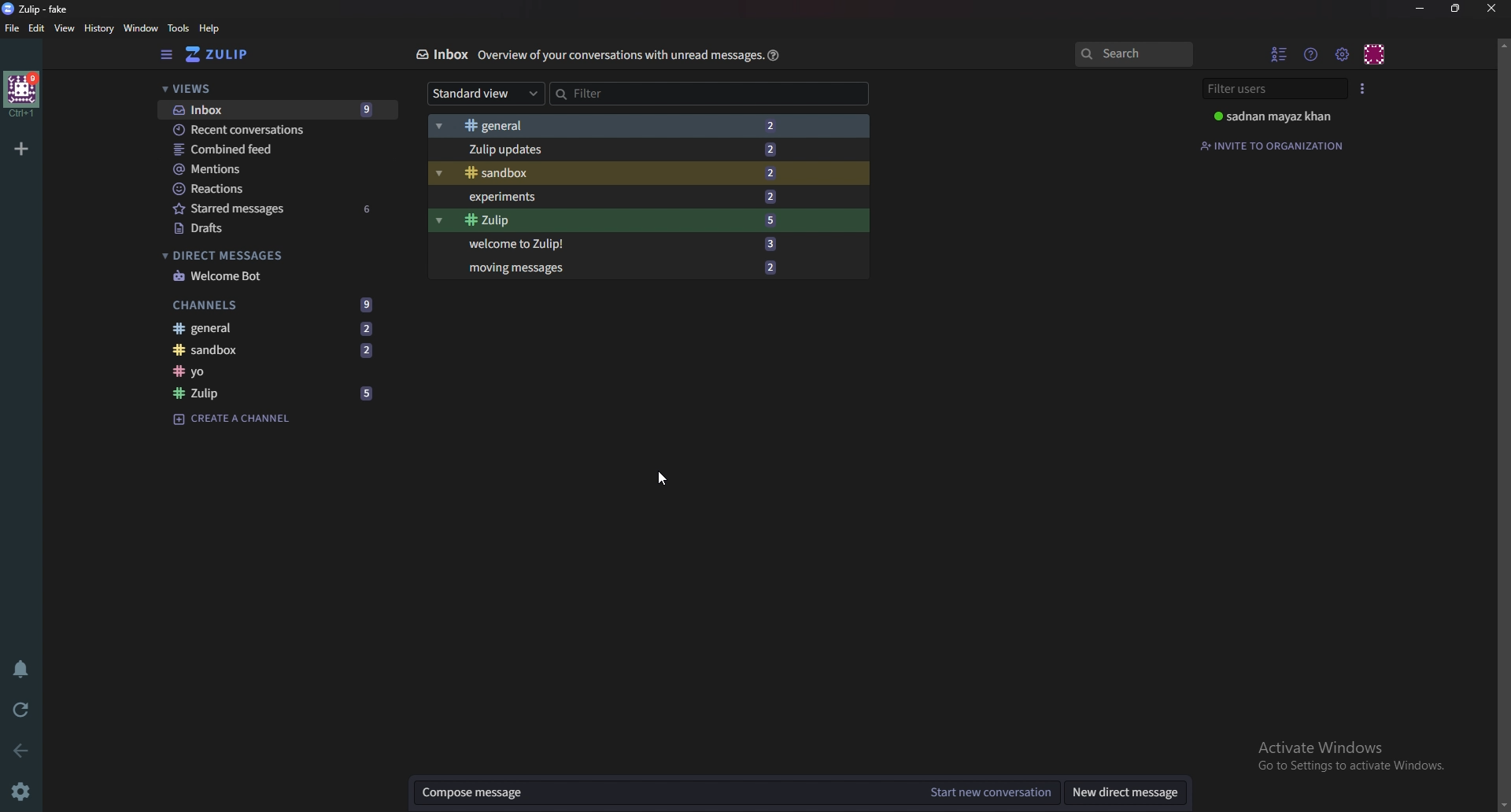 Image resolution: width=1511 pixels, height=812 pixels. What do you see at coordinates (622, 56) in the screenshot?
I see `Info` at bounding box center [622, 56].